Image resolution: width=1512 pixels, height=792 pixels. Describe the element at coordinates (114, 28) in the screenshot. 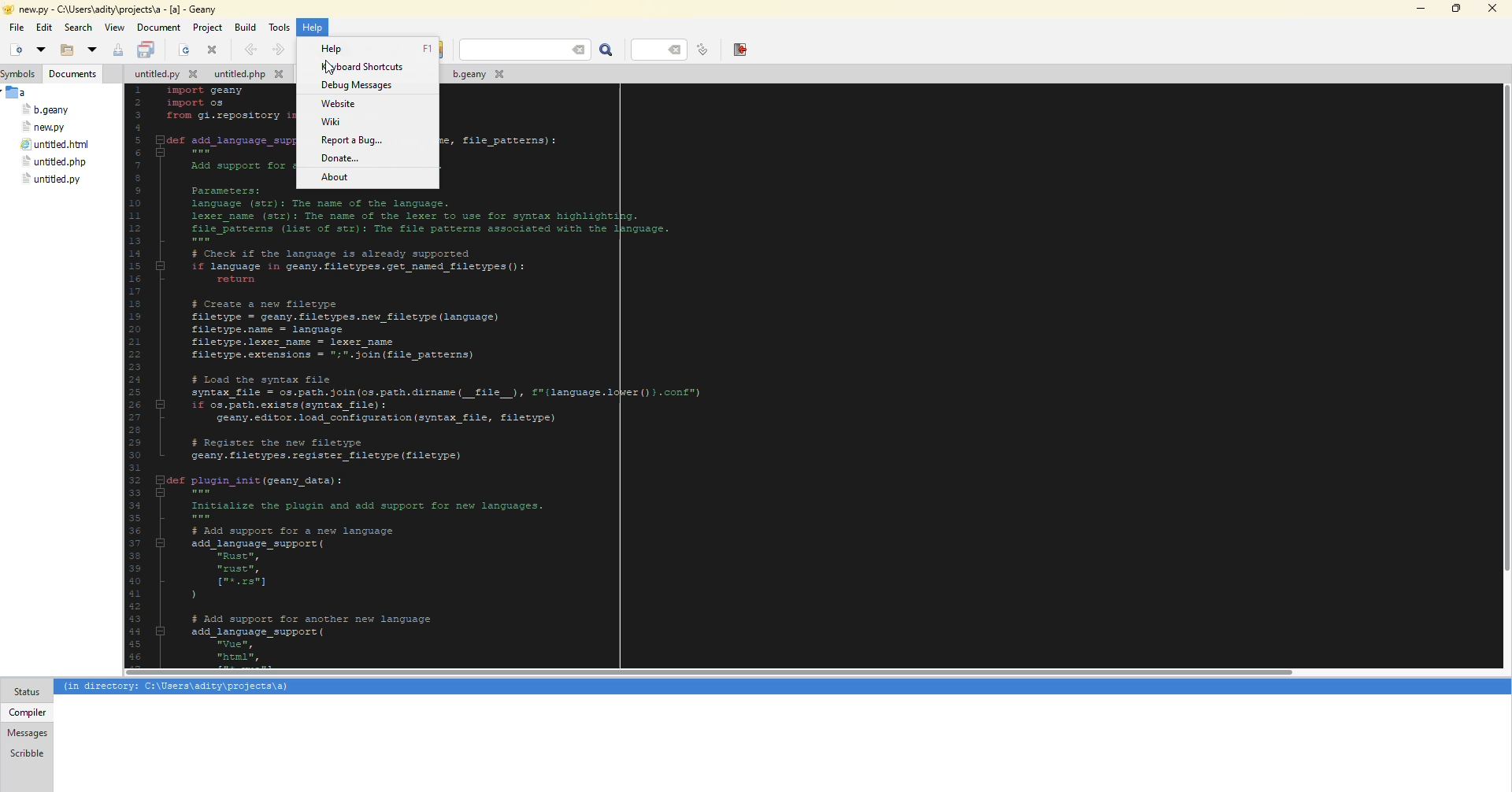

I see `view` at that location.